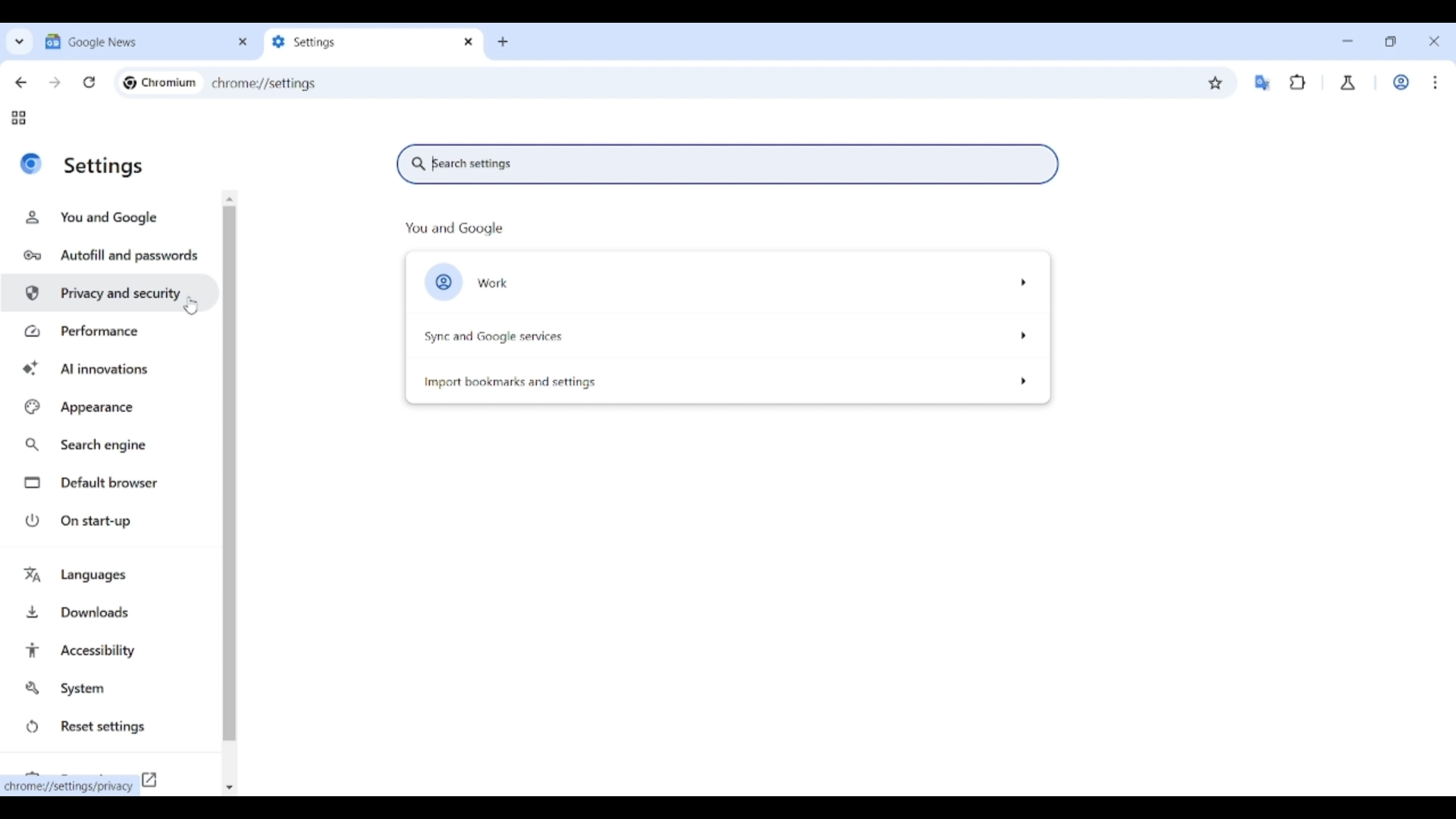 The image size is (1456, 819). What do you see at coordinates (111, 576) in the screenshot?
I see `Languages` at bounding box center [111, 576].